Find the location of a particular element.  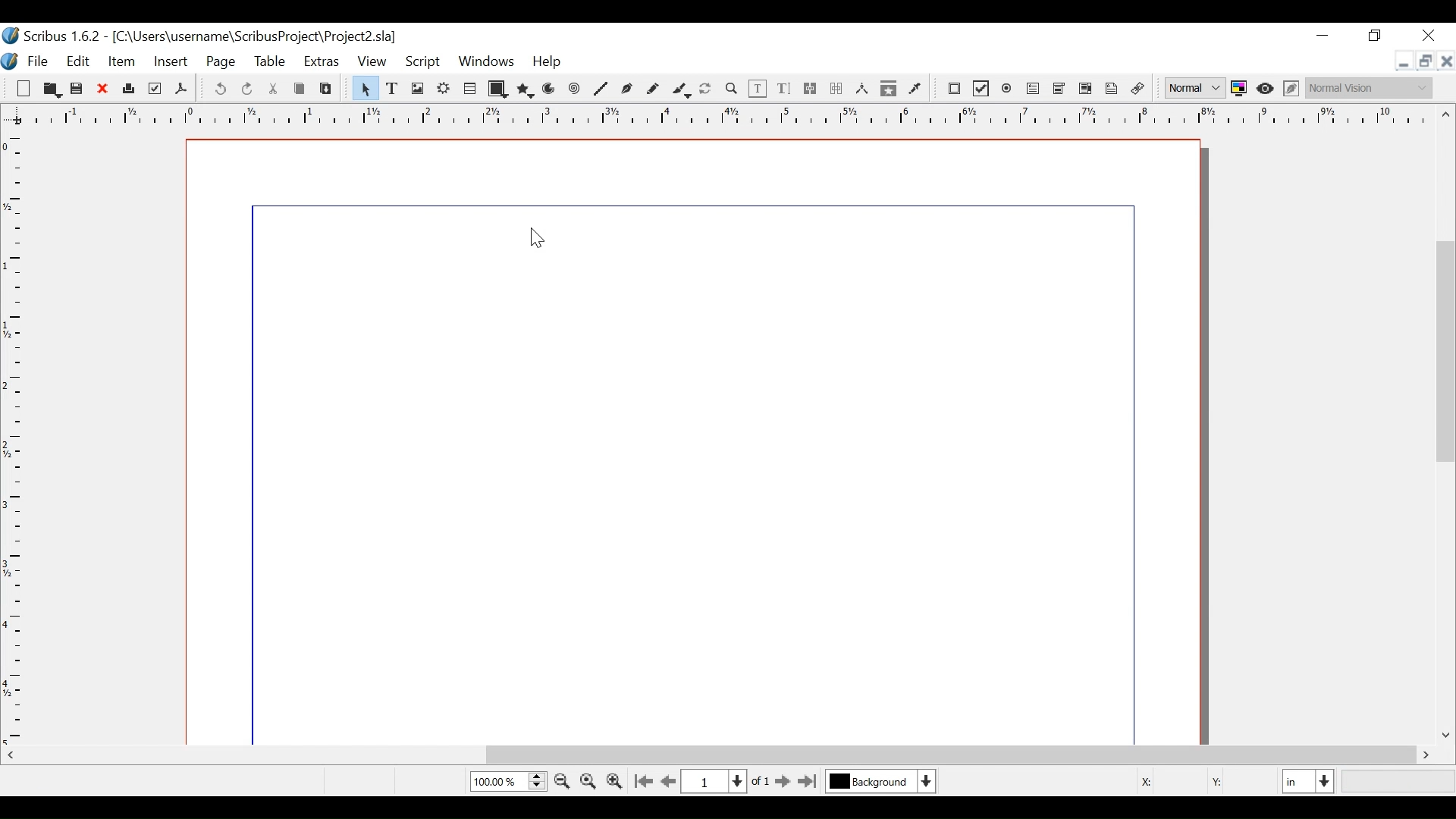

Select the current unit is located at coordinates (1309, 780).